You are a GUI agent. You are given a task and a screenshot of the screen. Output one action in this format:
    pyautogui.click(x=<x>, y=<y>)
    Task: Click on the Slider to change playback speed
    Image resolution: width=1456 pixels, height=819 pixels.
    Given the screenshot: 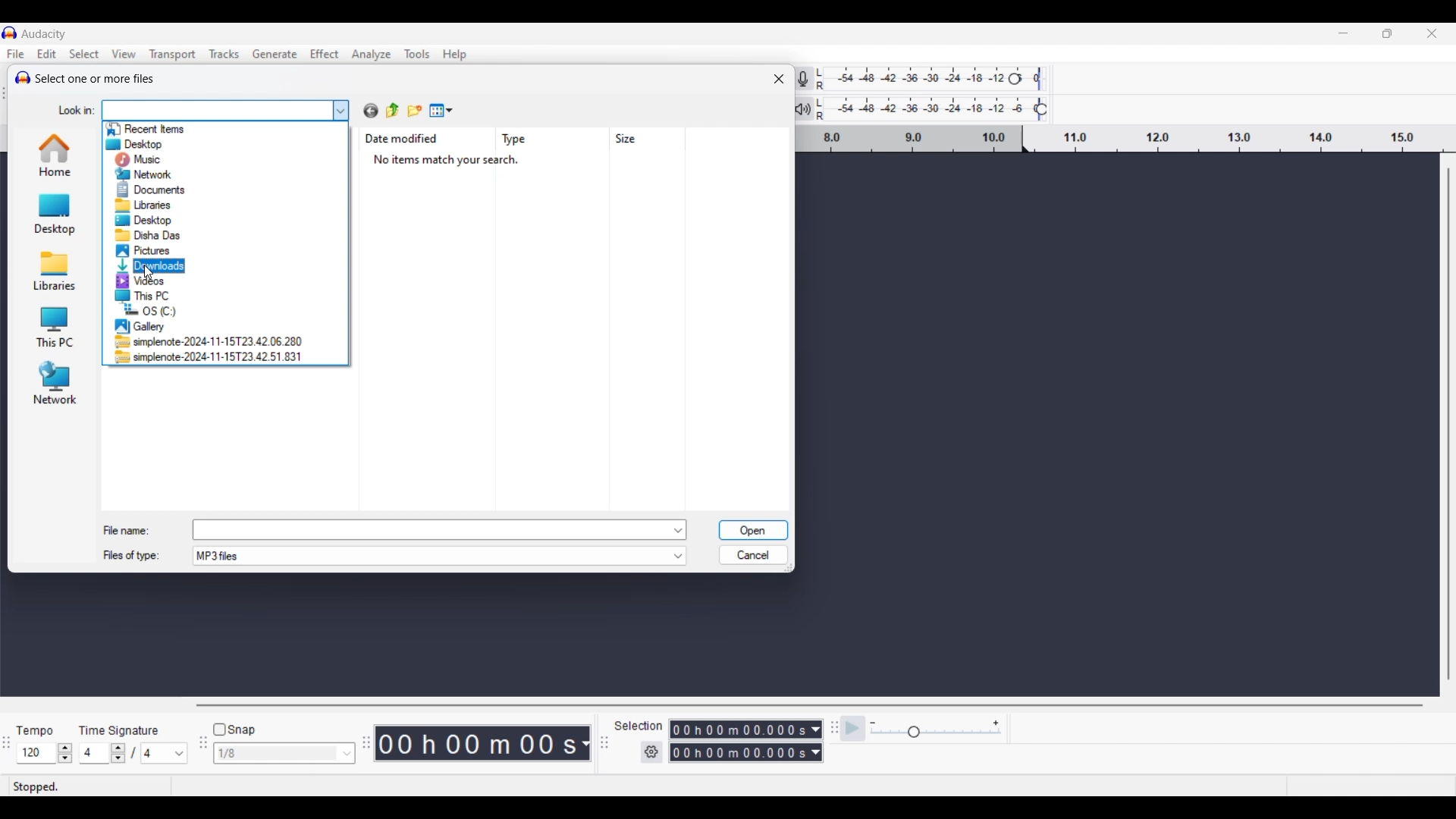 What is the action you would take?
    pyautogui.click(x=934, y=733)
    